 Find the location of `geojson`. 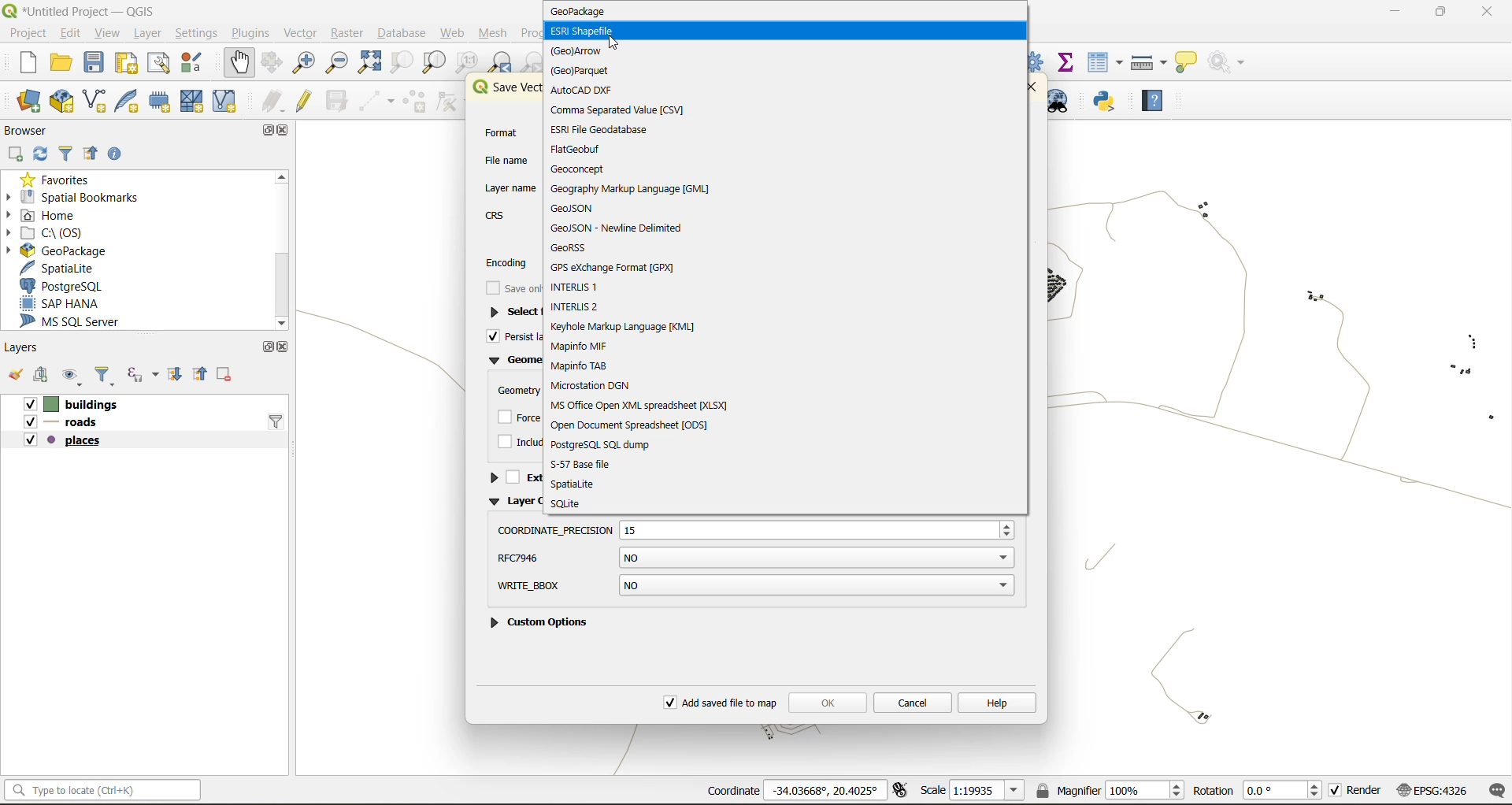

geojson is located at coordinates (573, 210).